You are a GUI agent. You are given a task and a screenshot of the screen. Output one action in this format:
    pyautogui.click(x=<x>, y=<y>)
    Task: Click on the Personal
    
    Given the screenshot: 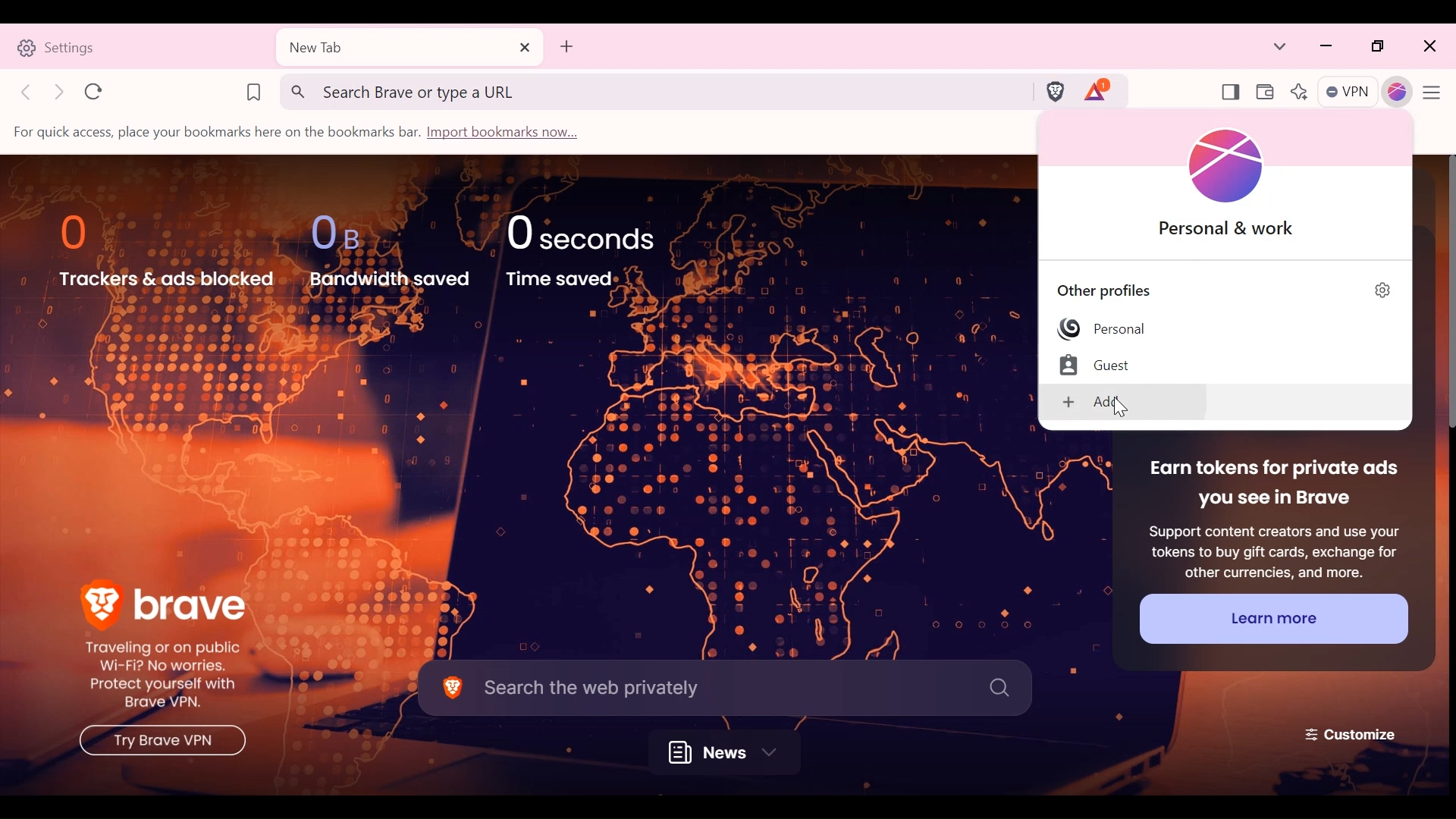 What is the action you would take?
    pyautogui.click(x=1103, y=329)
    